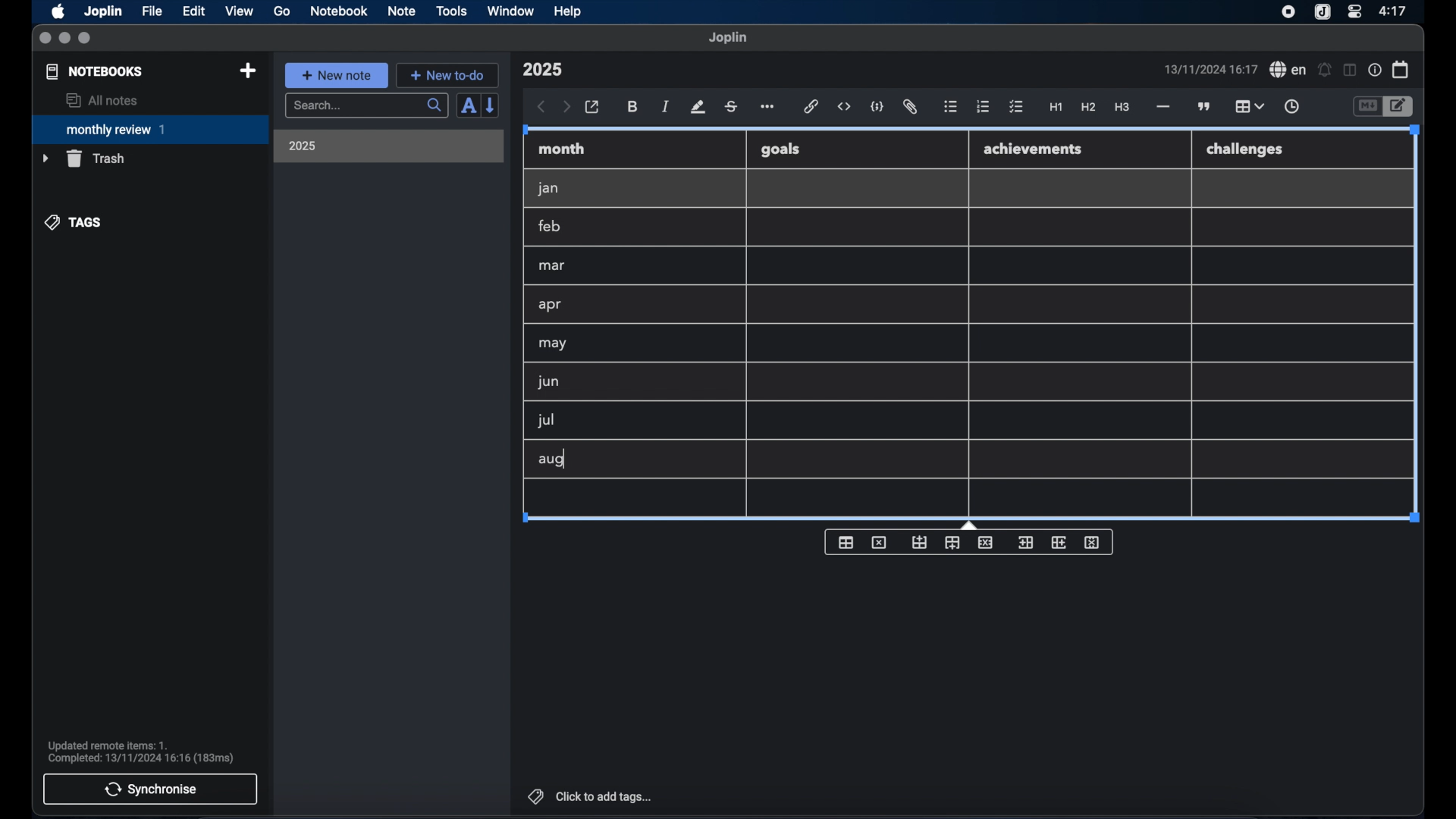 This screenshot has width=1456, height=819. What do you see at coordinates (1162, 107) in the screenshot?
I see `horizontal rule` at bounding box center [1162, 107].